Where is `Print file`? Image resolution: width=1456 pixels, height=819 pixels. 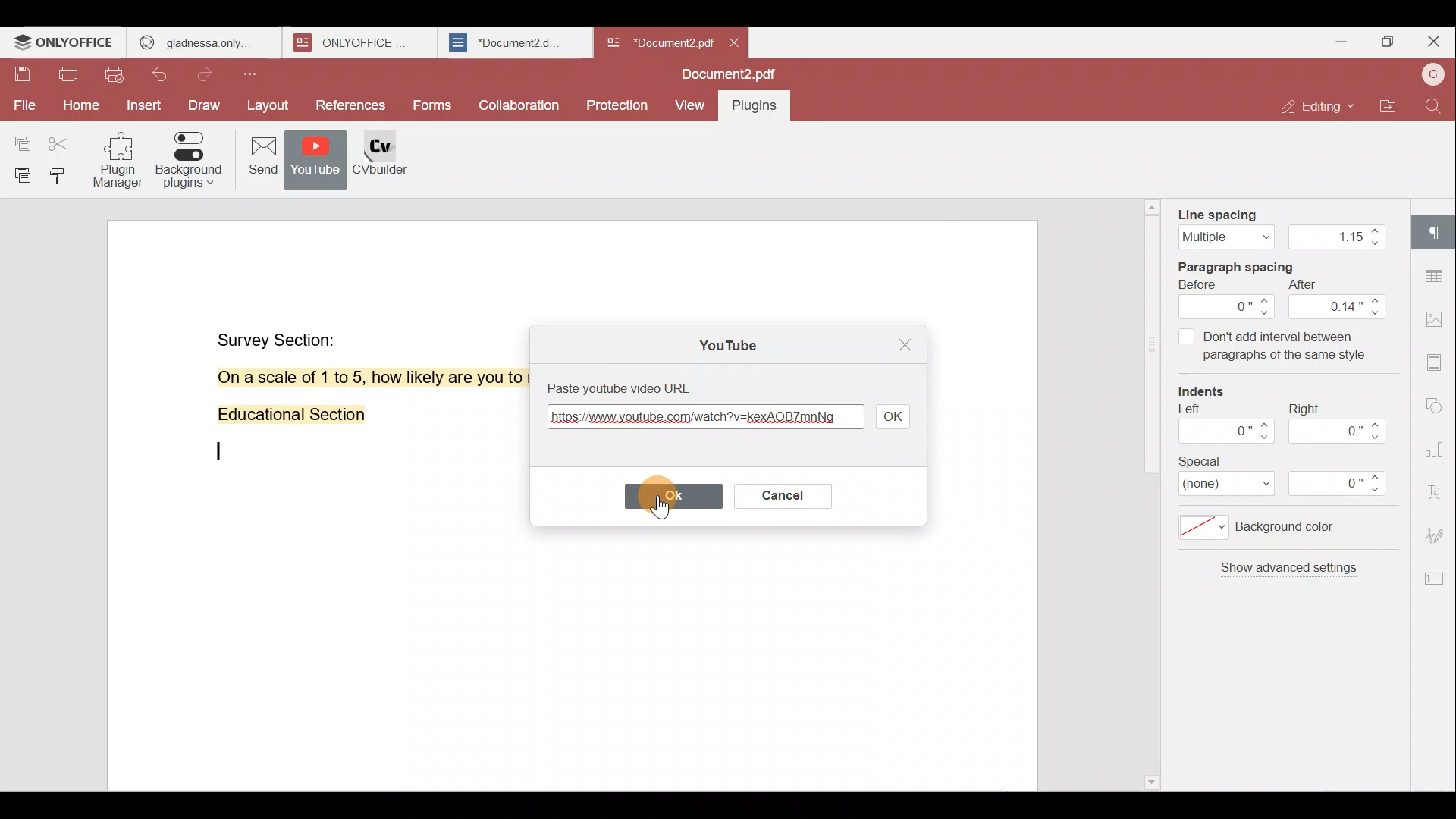 Print file is located at coordinates (67, 77).